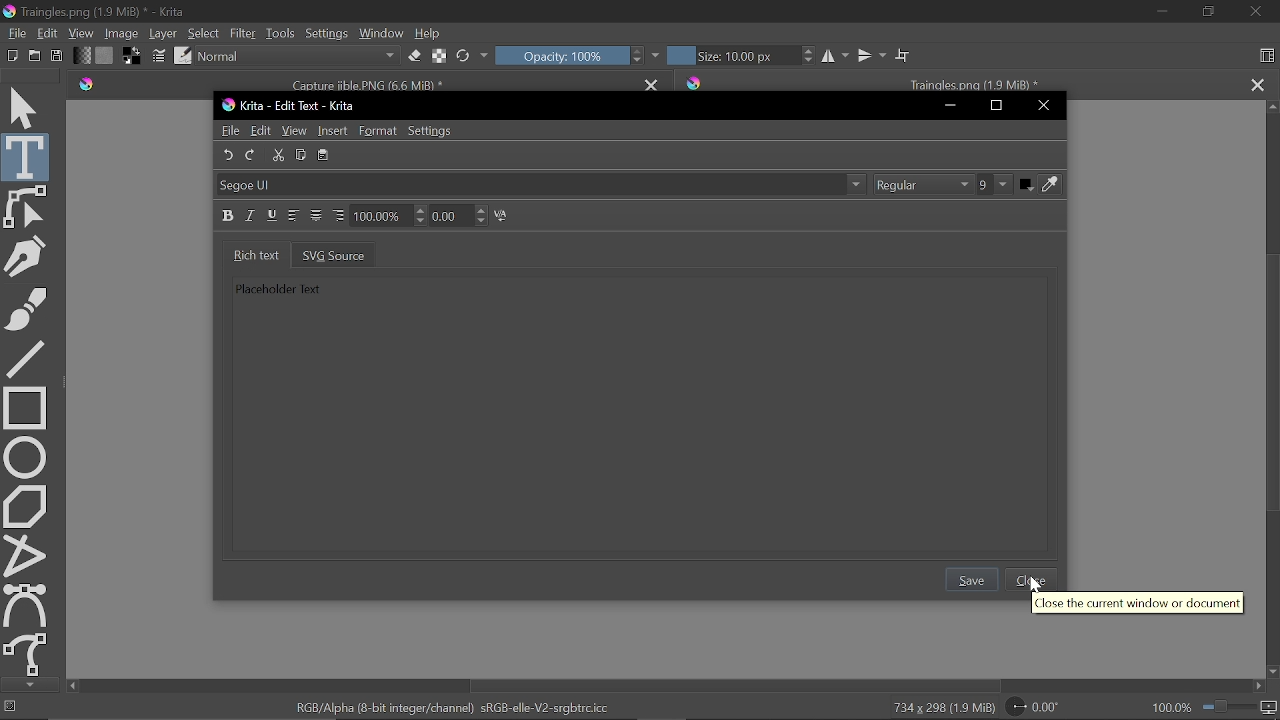 This screenshot has height=720, width=1280. I want to click on Fill pattern, so click(104, 56).